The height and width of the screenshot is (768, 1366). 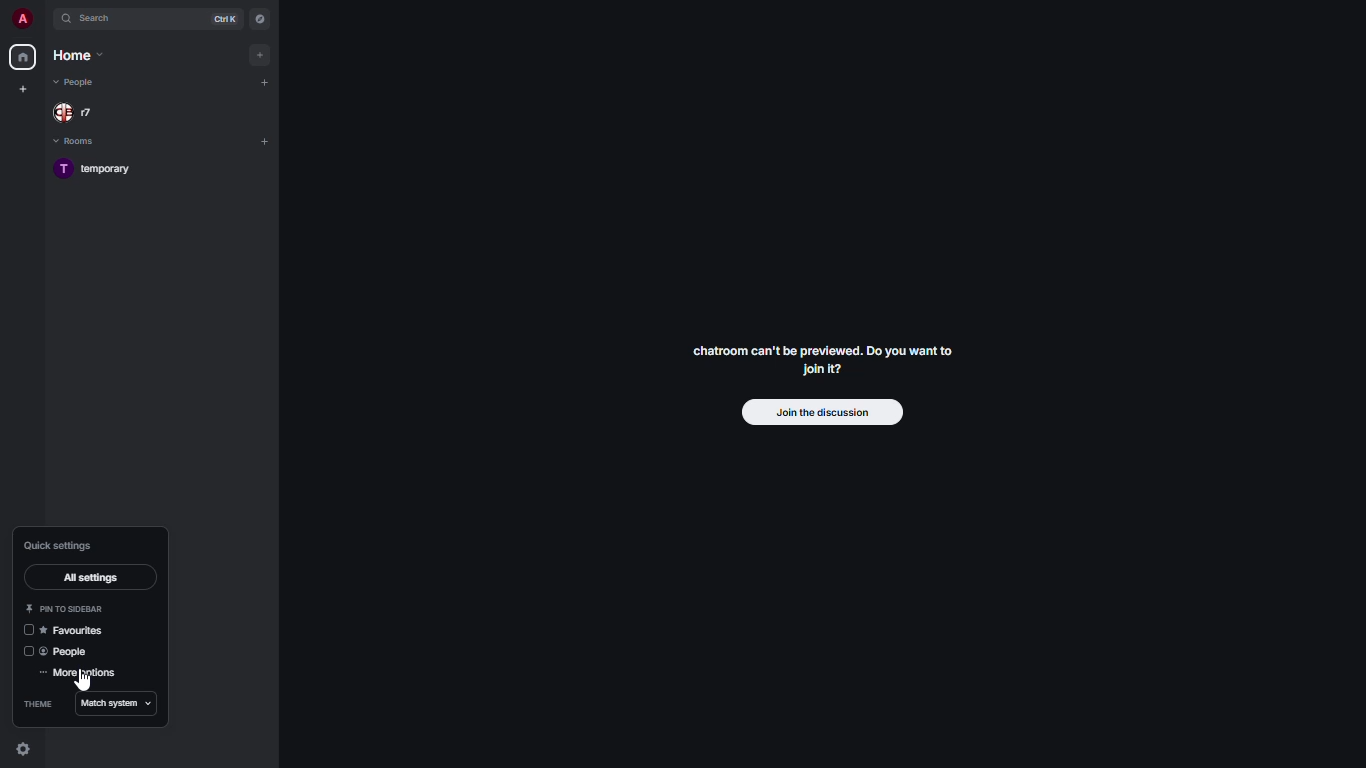 What do you see at coordinates (24, 58) in the screenshot?
I see `home` at bounding box center [24, 58].